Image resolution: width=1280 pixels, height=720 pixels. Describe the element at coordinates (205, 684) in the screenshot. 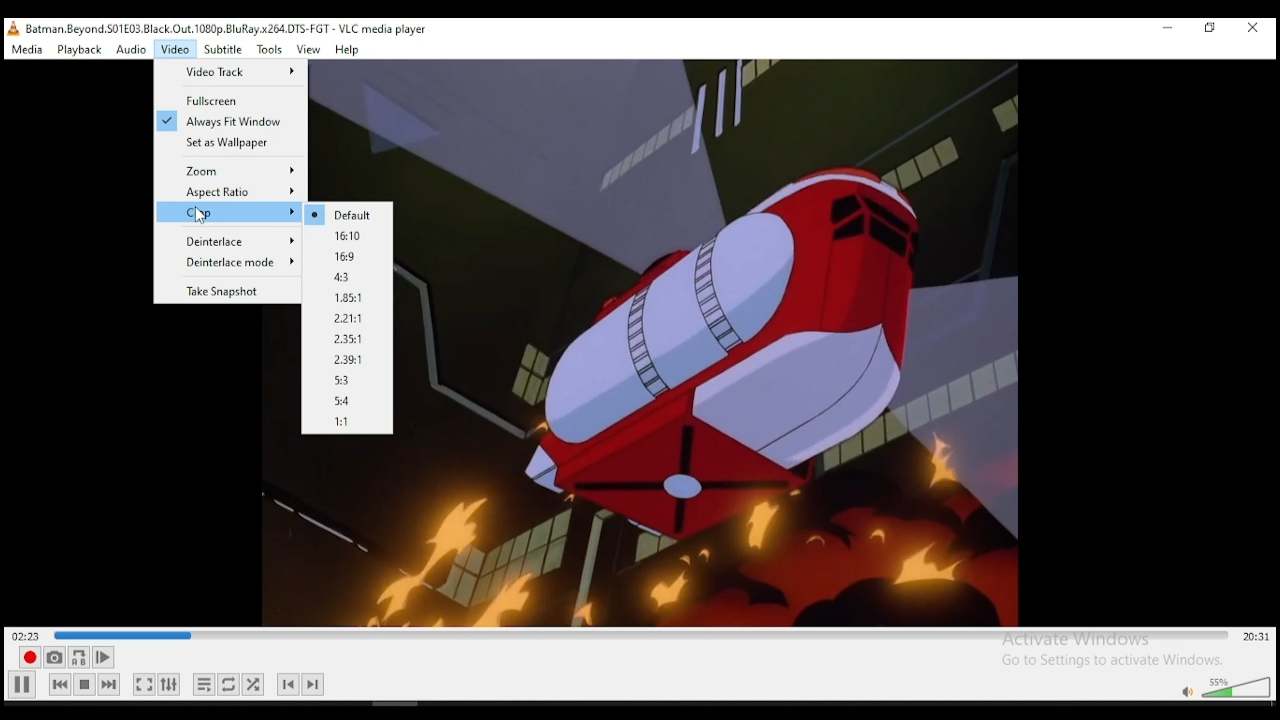

I see `toggle playlist` at that location.